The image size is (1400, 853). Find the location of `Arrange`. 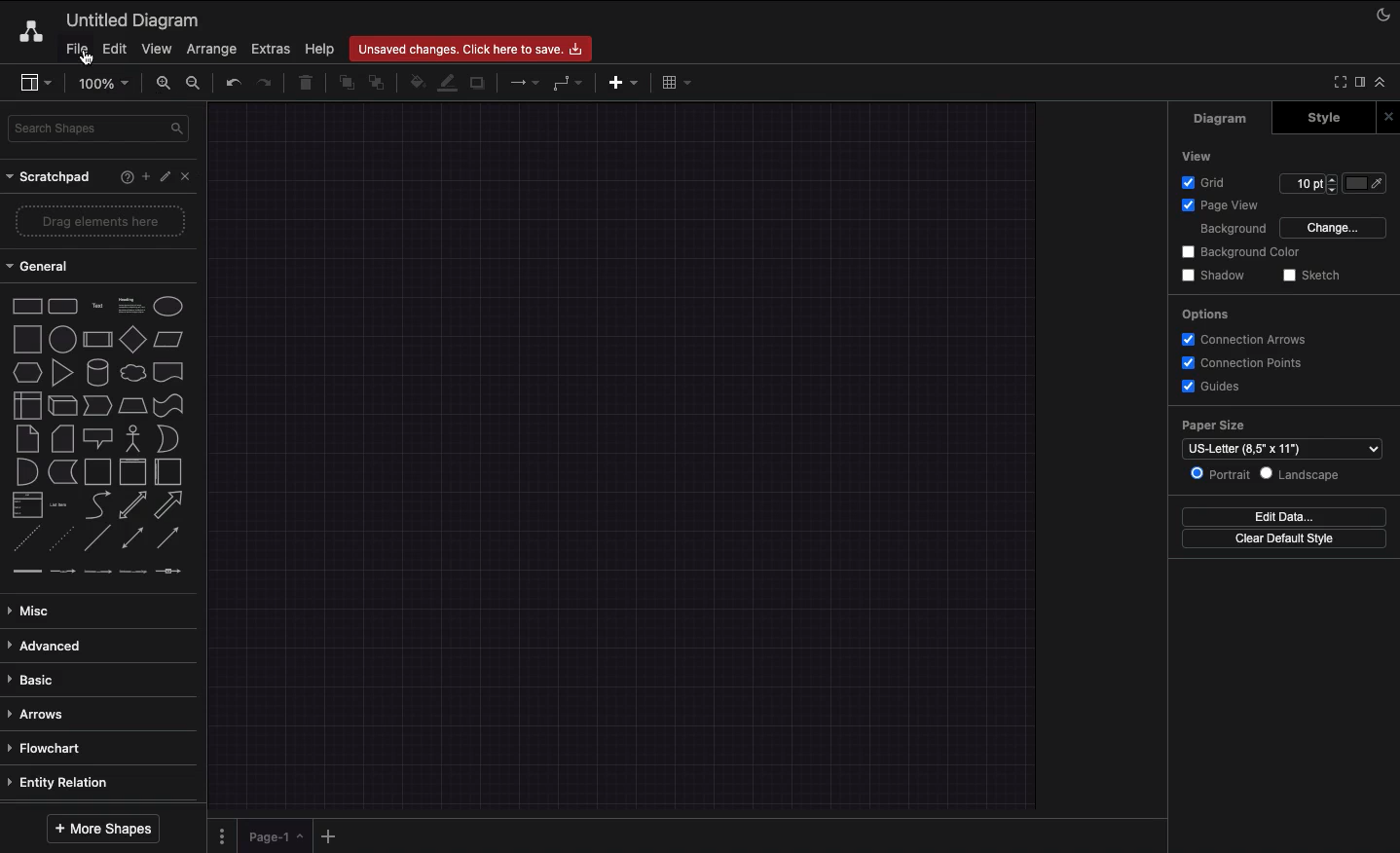

Arrange is located at coordinates (212, 50).